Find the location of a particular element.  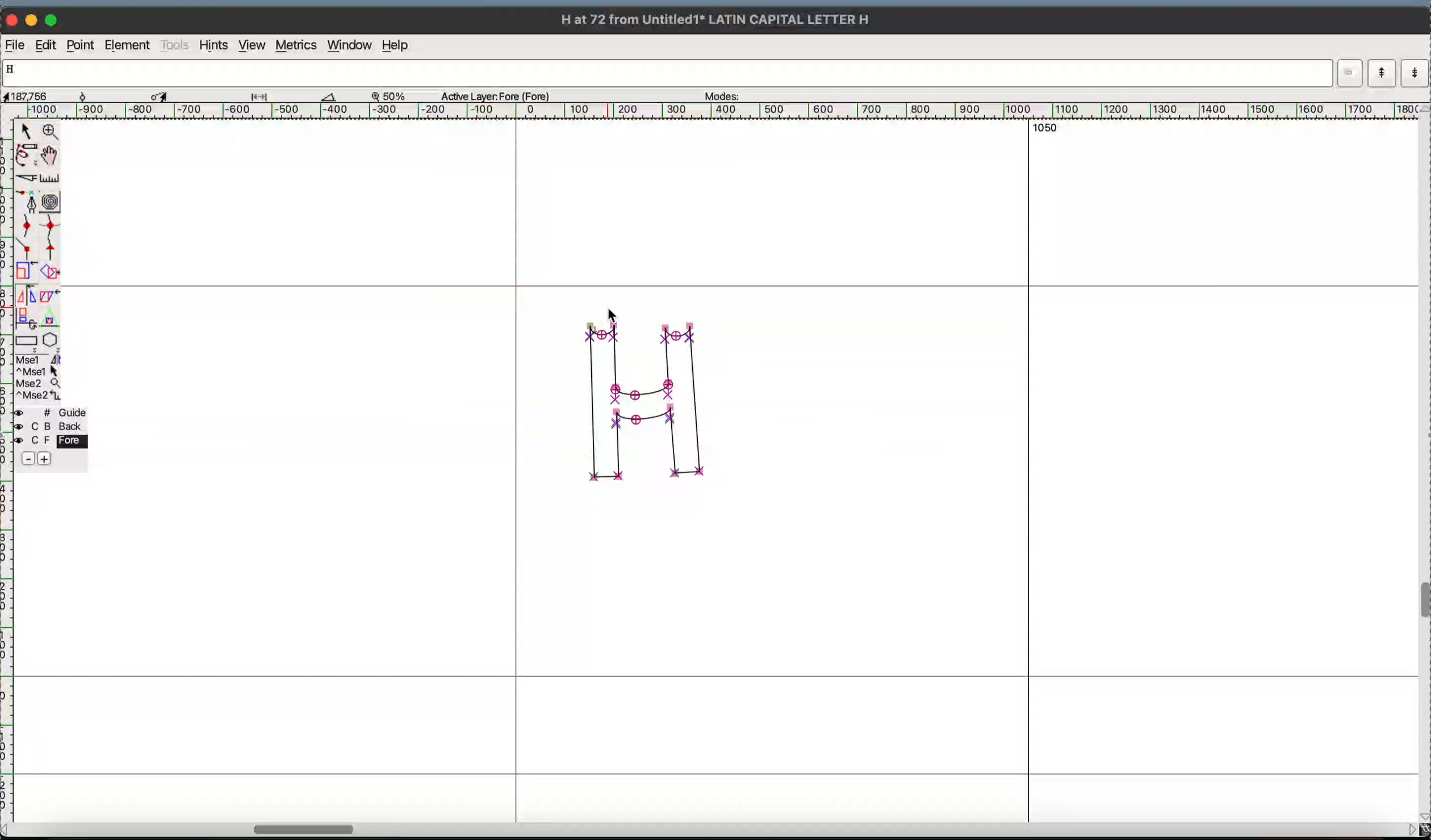

element is located at coordinates (128, 45).